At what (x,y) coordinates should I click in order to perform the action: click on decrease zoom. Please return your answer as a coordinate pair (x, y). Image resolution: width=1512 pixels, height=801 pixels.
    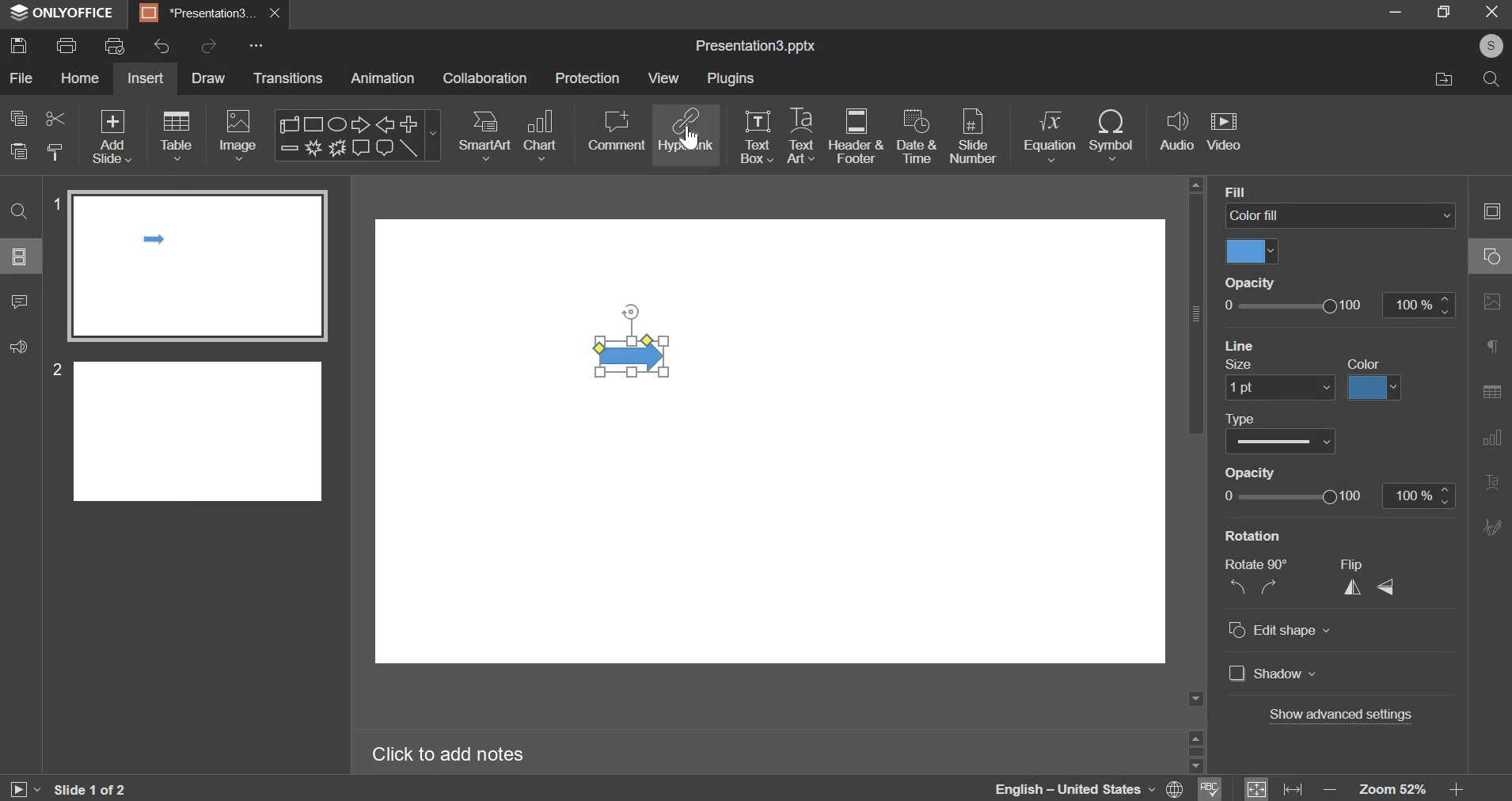
    Looking at the image, I should click on (1331, 790).